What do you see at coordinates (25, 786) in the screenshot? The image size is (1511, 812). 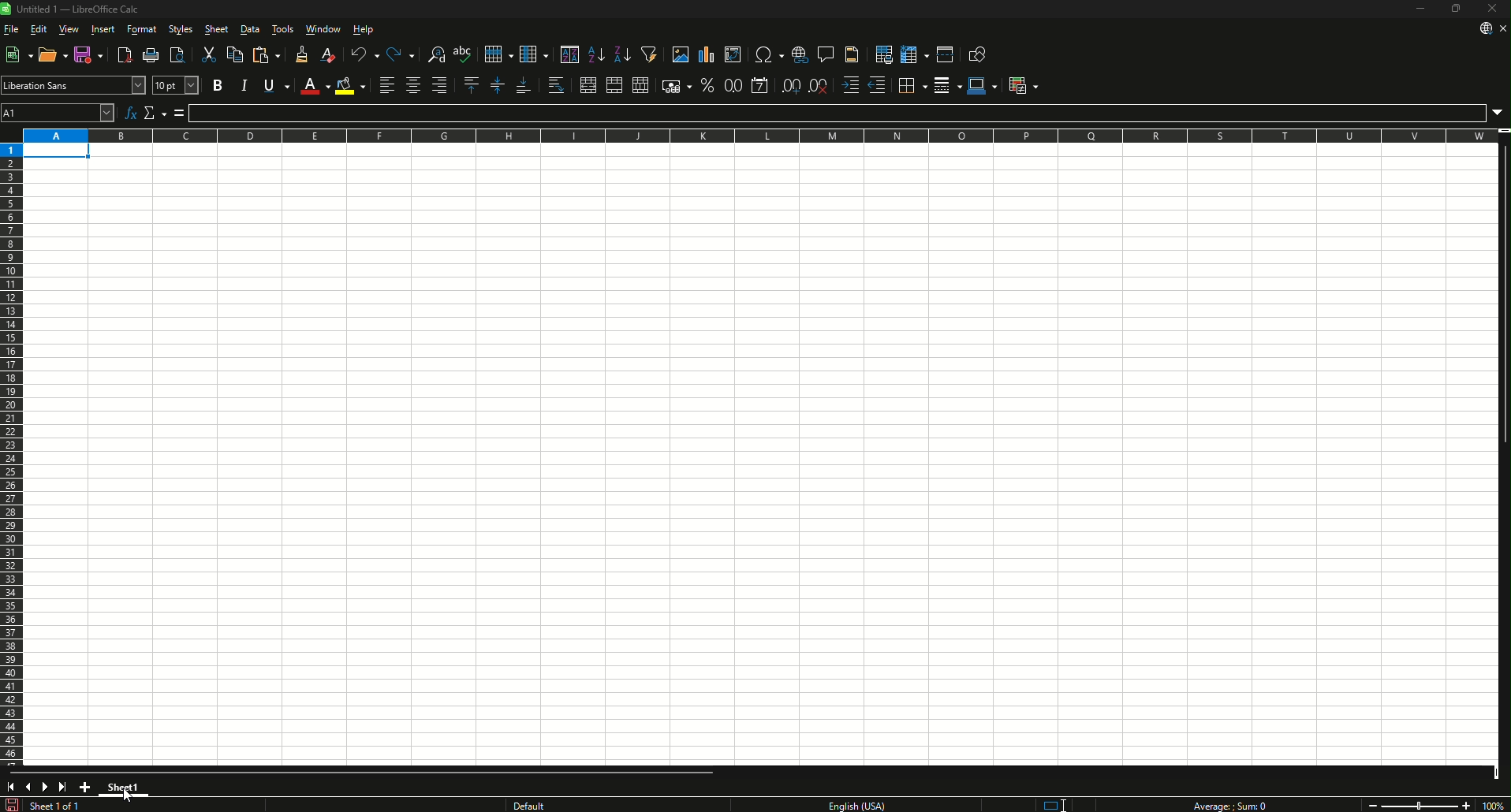 I see `Previous slide` at bounding box center [25, 786].